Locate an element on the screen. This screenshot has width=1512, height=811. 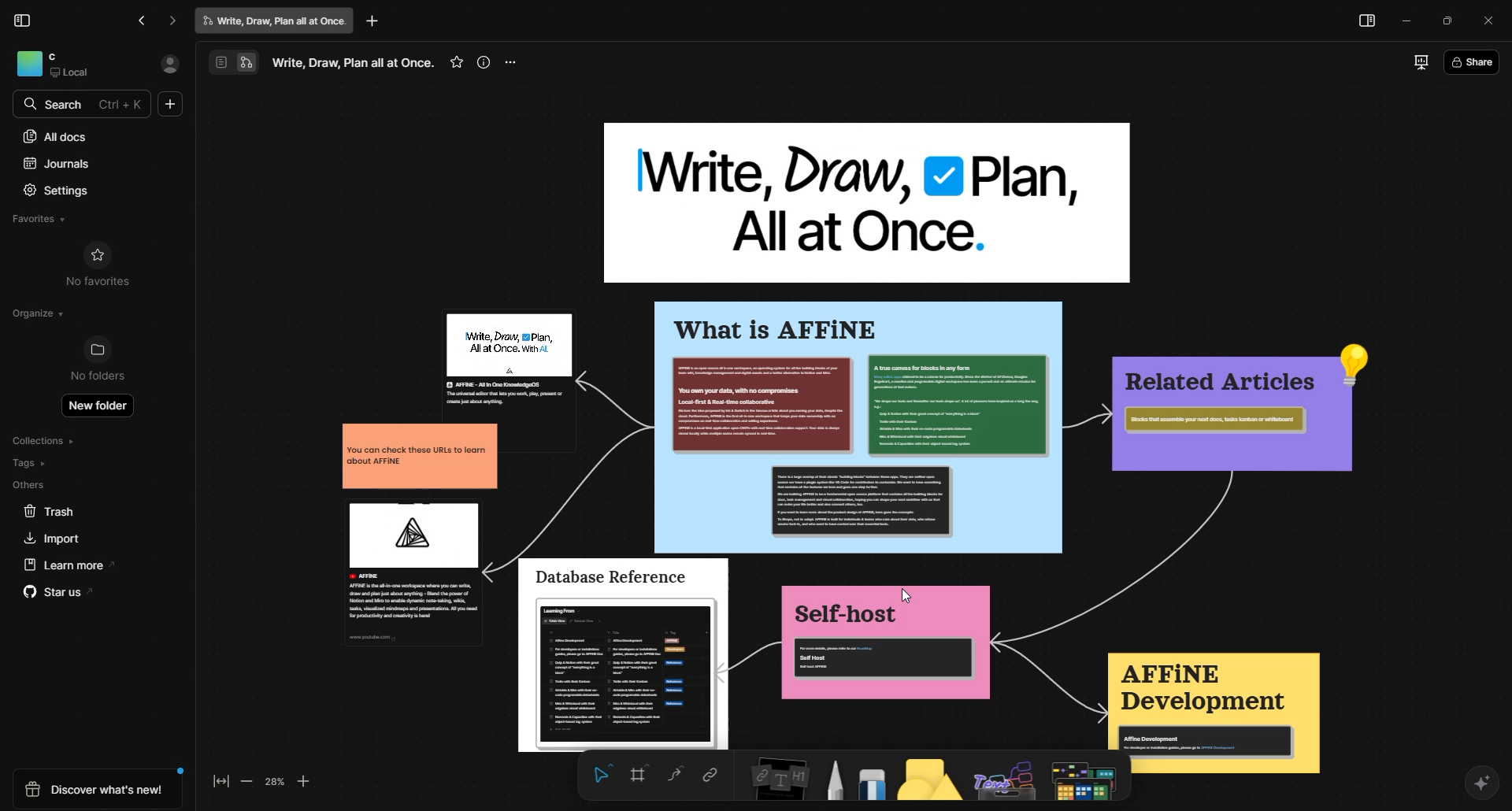
Restore down is located at coordinates (1449, 21).